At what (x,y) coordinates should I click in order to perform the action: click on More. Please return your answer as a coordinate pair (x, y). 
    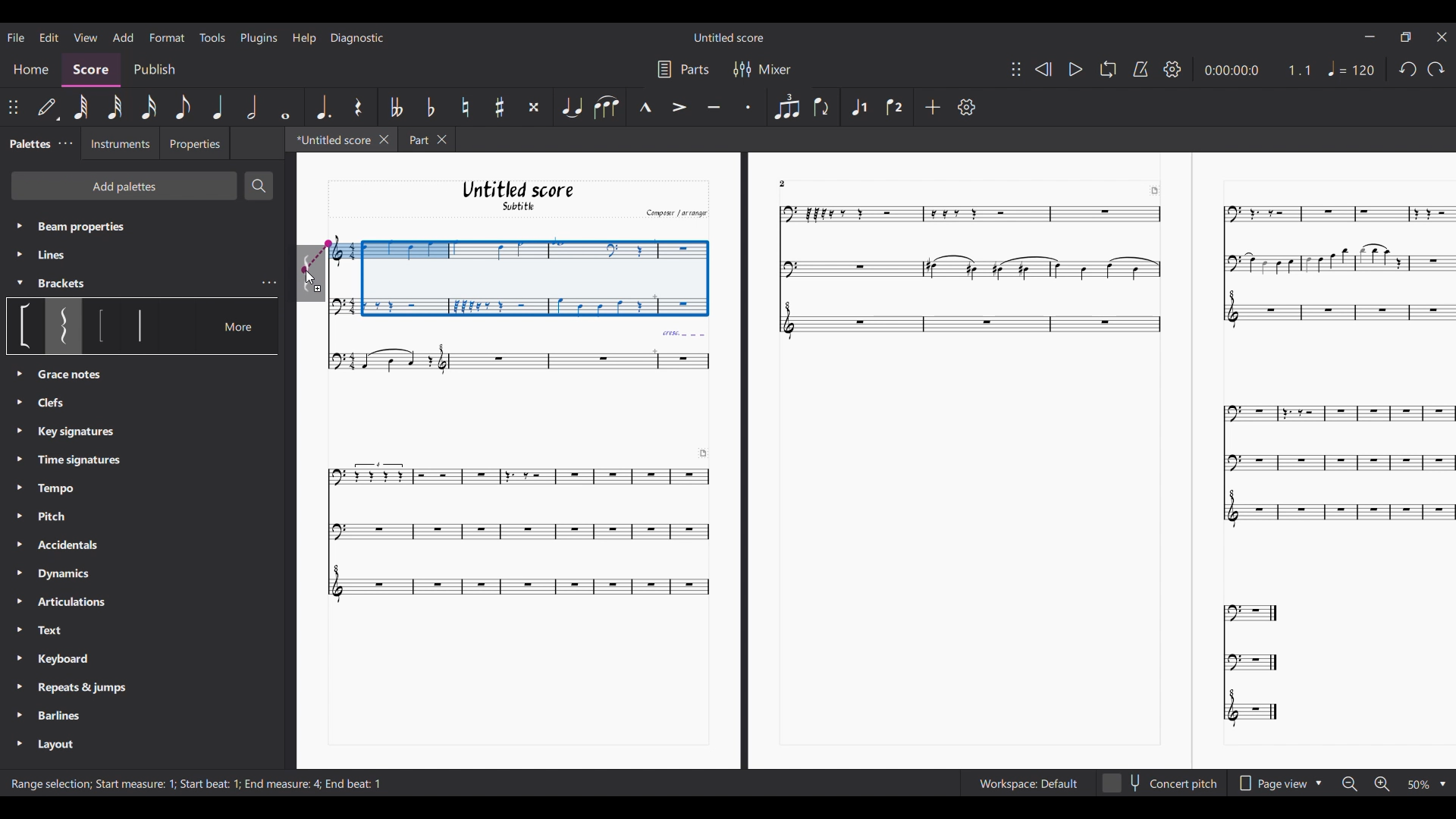
    Looking at the image, I should click on (241, 325).